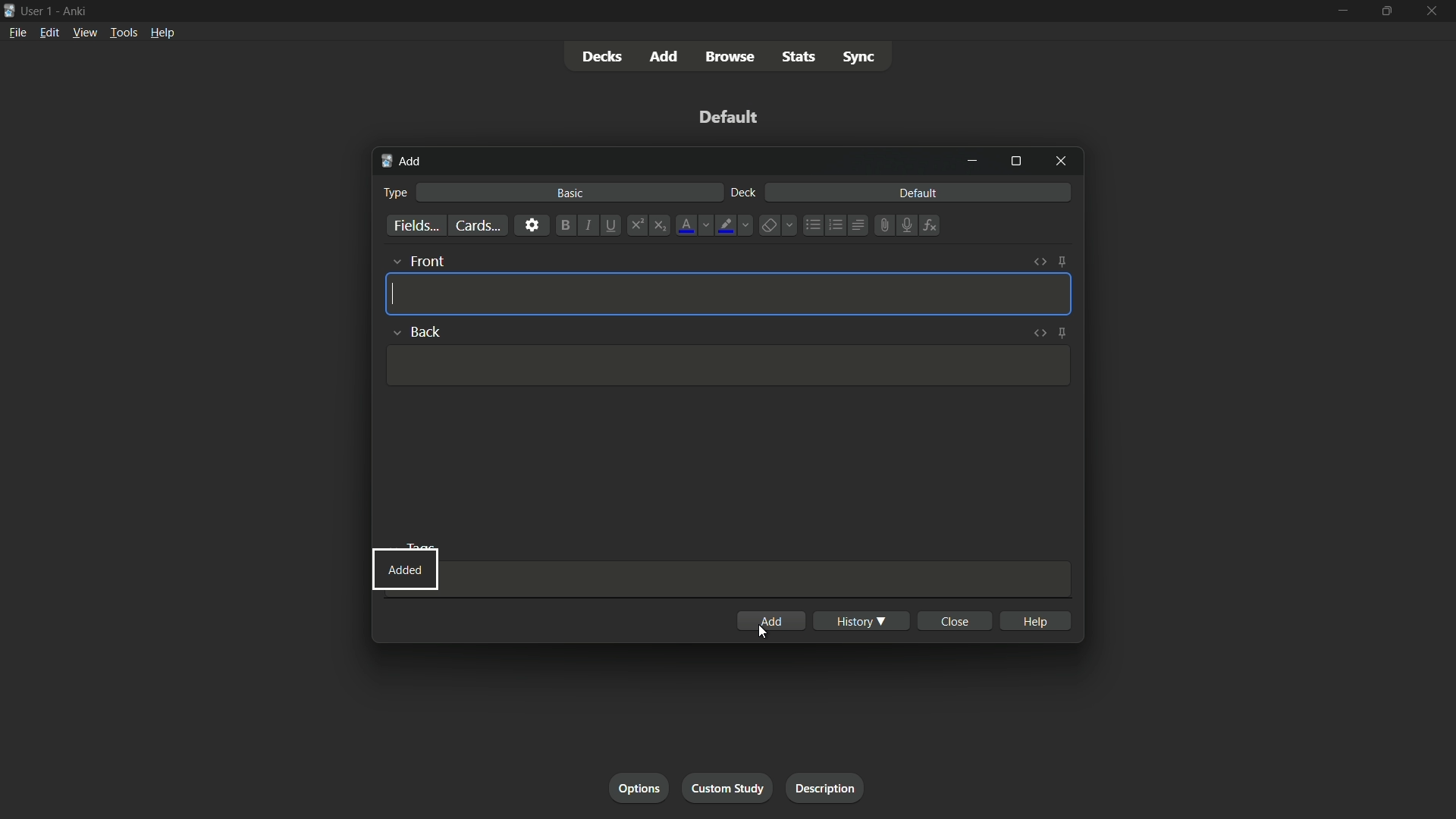 The width and height of the screenshot is (1456, 819). What do you see at coordinates (974, 161) in the screenshot?
I see `minimize` at bounding box center [974, 161].